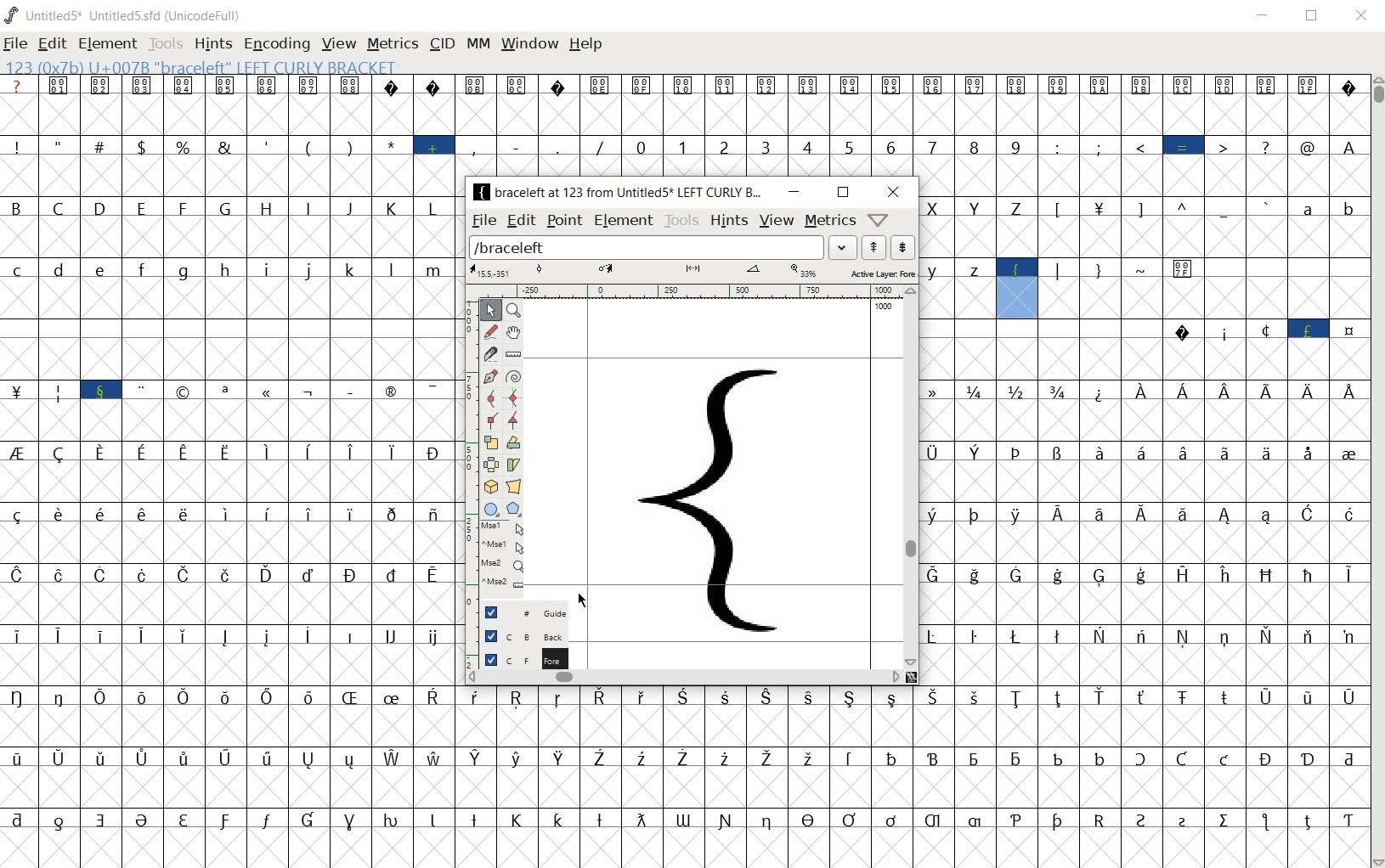  Describe the element at coordinates (624, 221) in the screenshot. I see `Element` at that location.